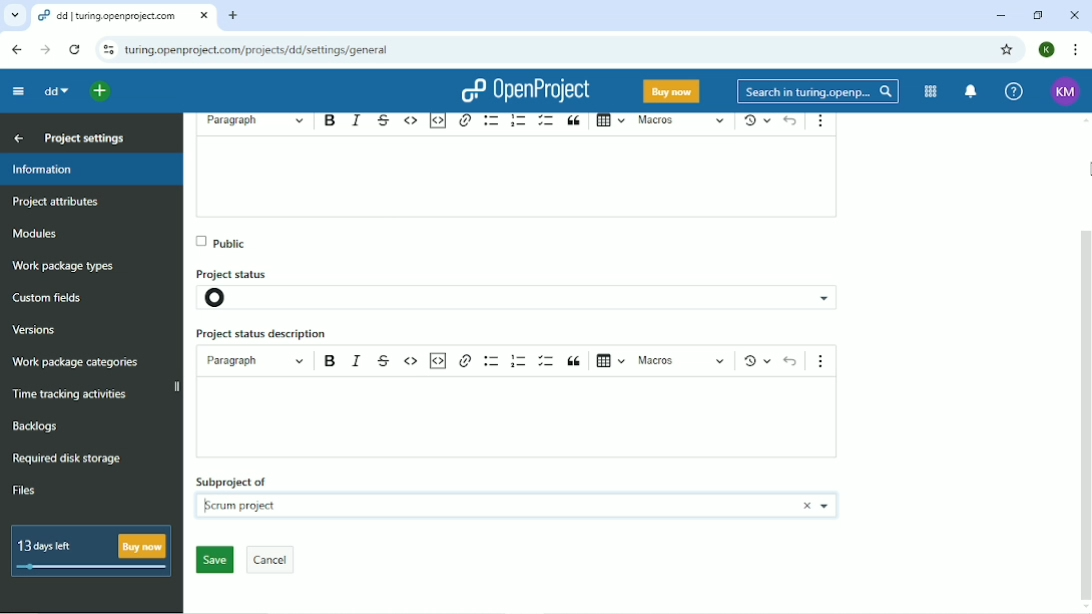 Image resolution: width=1092 pixels, height=614 pixels. I want to click on Close, so click(1075, 15).